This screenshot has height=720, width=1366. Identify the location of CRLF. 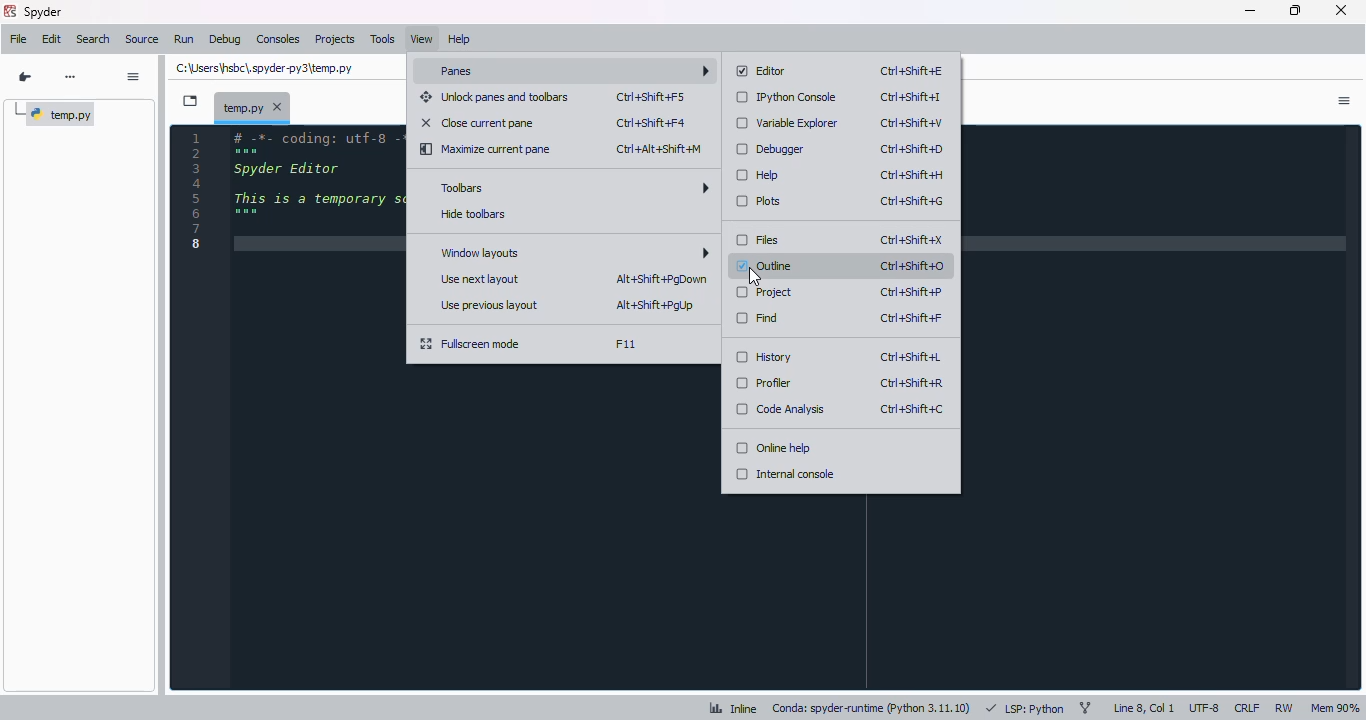
(1247, 708).